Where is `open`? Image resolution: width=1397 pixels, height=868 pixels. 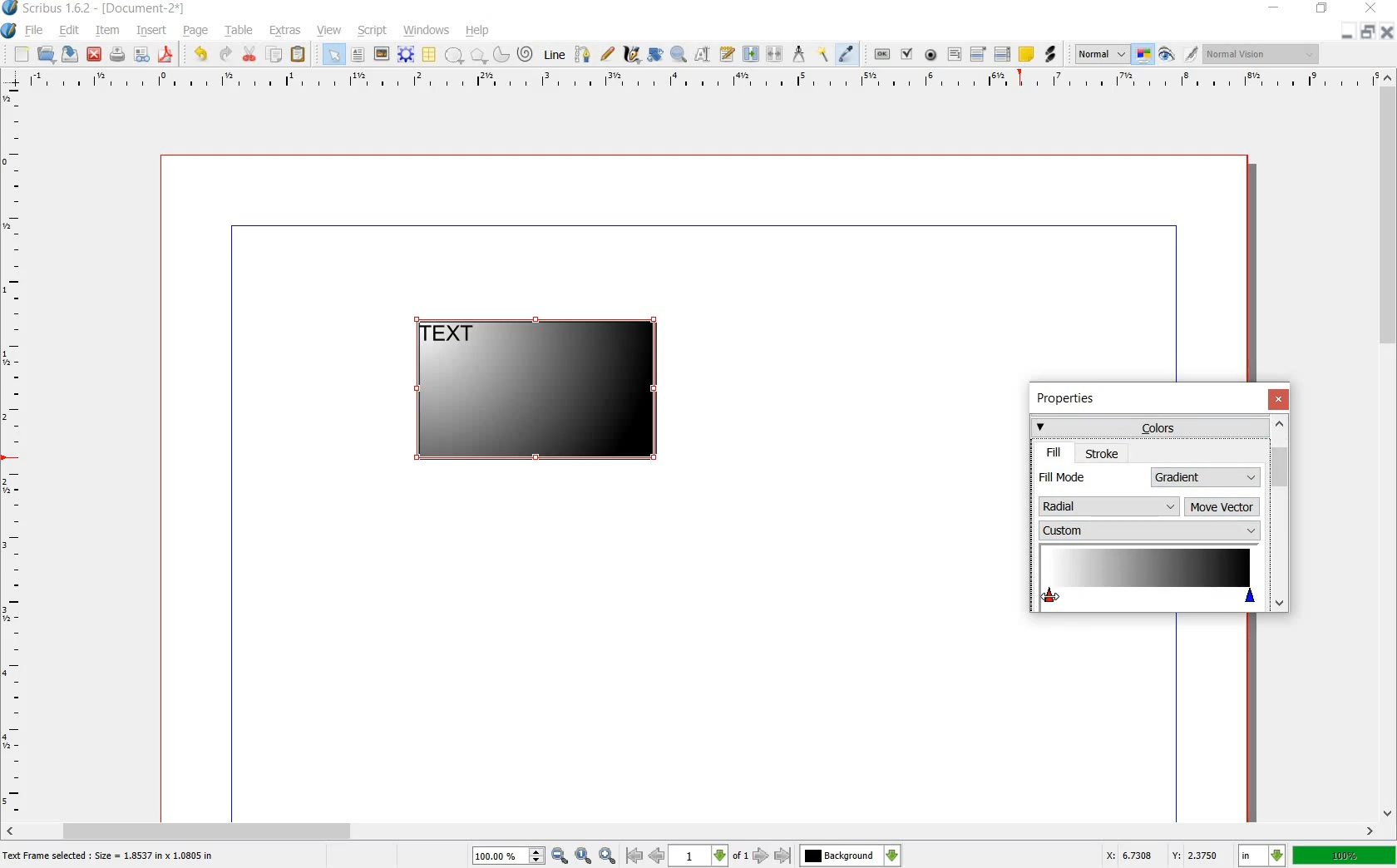
open is located at coordinates (48, 55).